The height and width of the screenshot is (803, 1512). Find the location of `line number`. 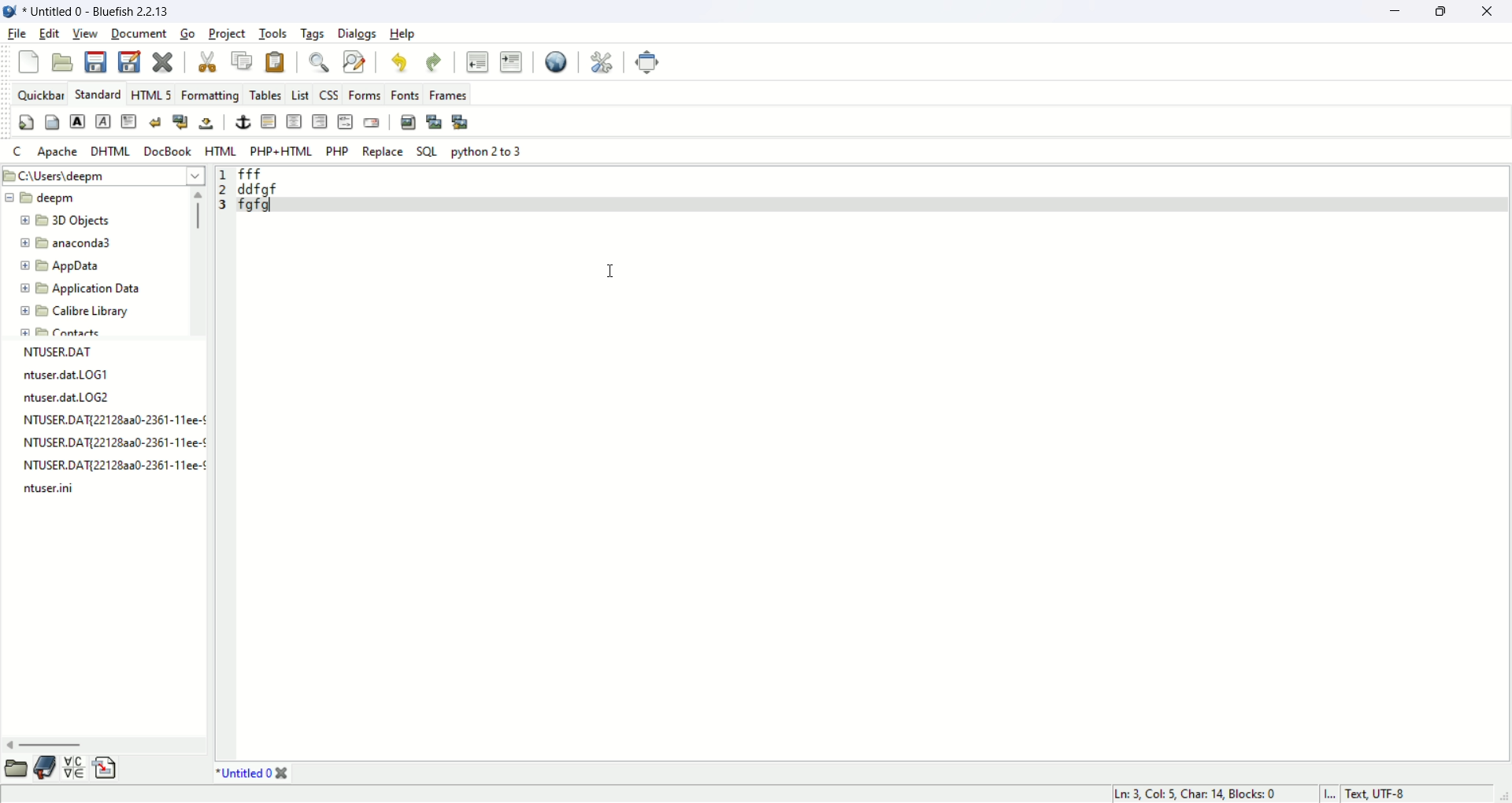

line number is located at coordinates (222, 193).